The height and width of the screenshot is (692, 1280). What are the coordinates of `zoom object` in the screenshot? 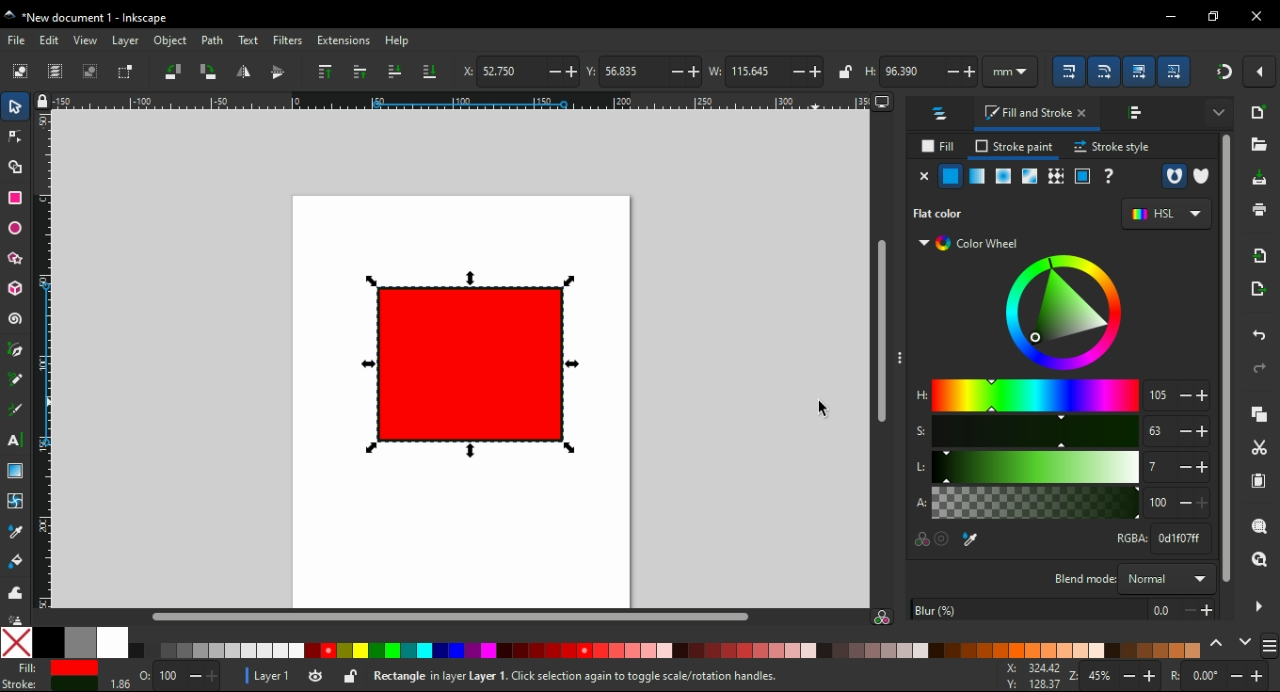 It's located at (1257, 525).